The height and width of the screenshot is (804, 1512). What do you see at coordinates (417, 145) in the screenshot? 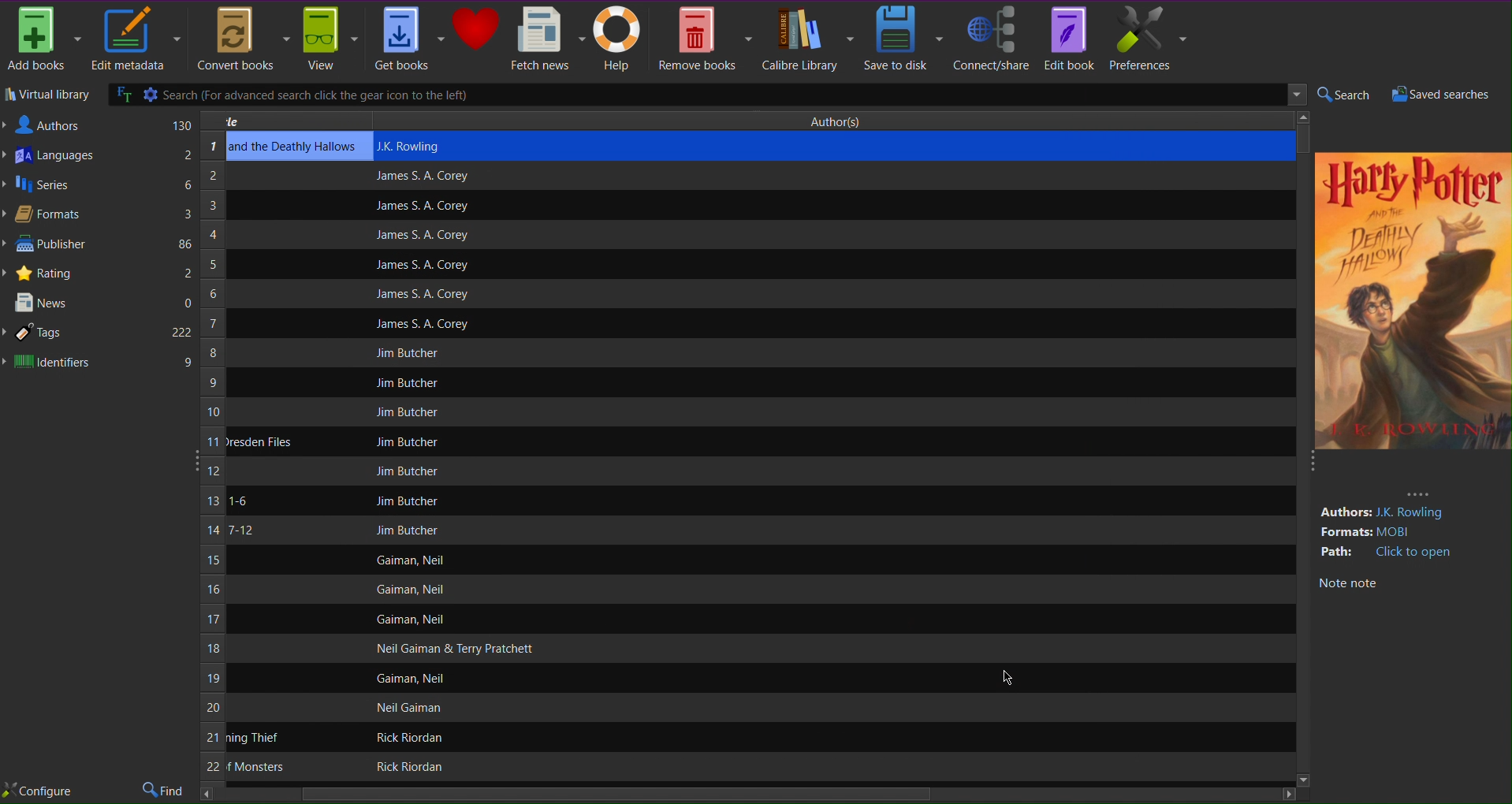
I see `JK. Rowling` at bounding box center [417, 145].